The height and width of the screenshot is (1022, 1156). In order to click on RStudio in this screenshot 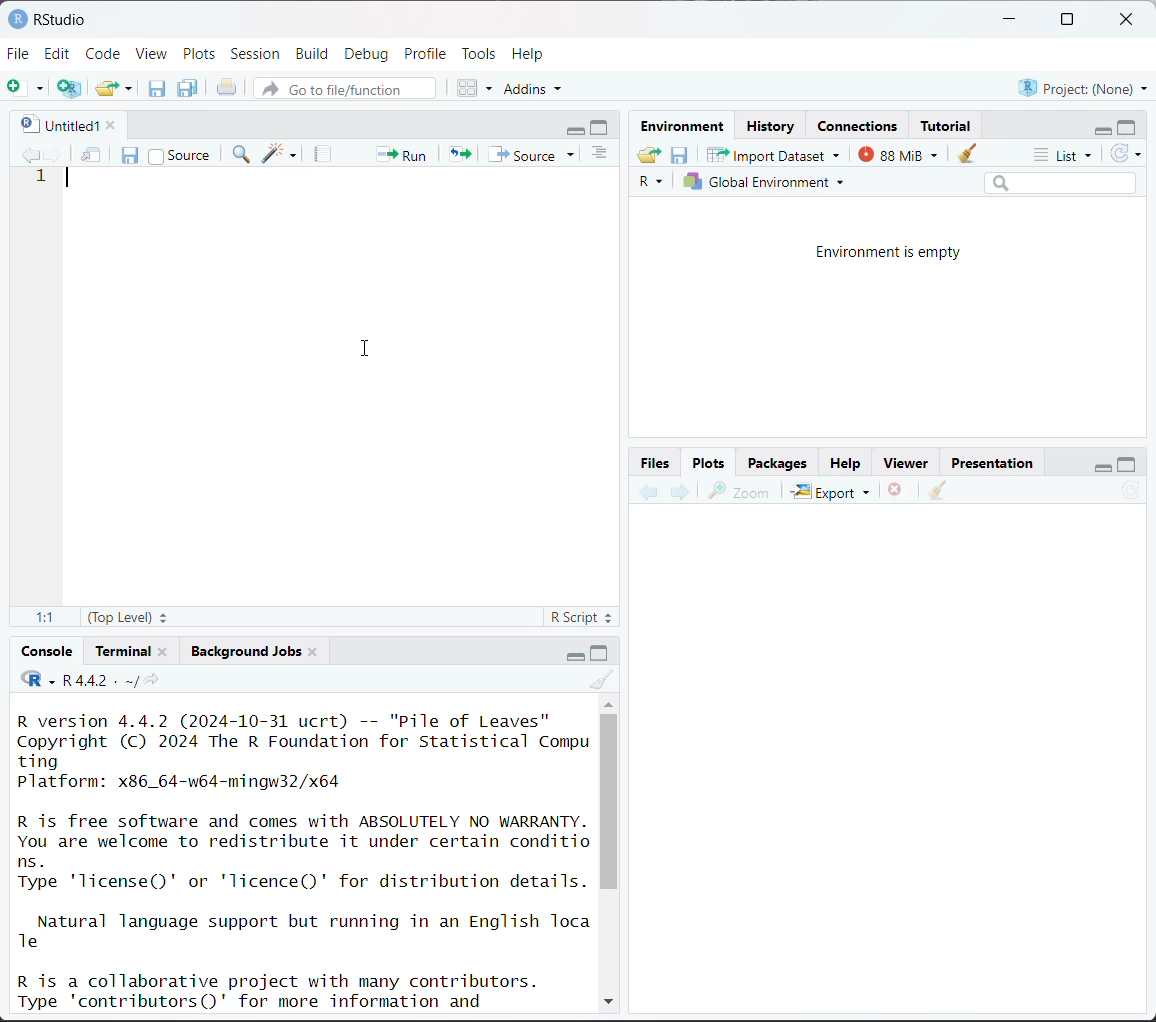, I will do `click(47, 18)`.